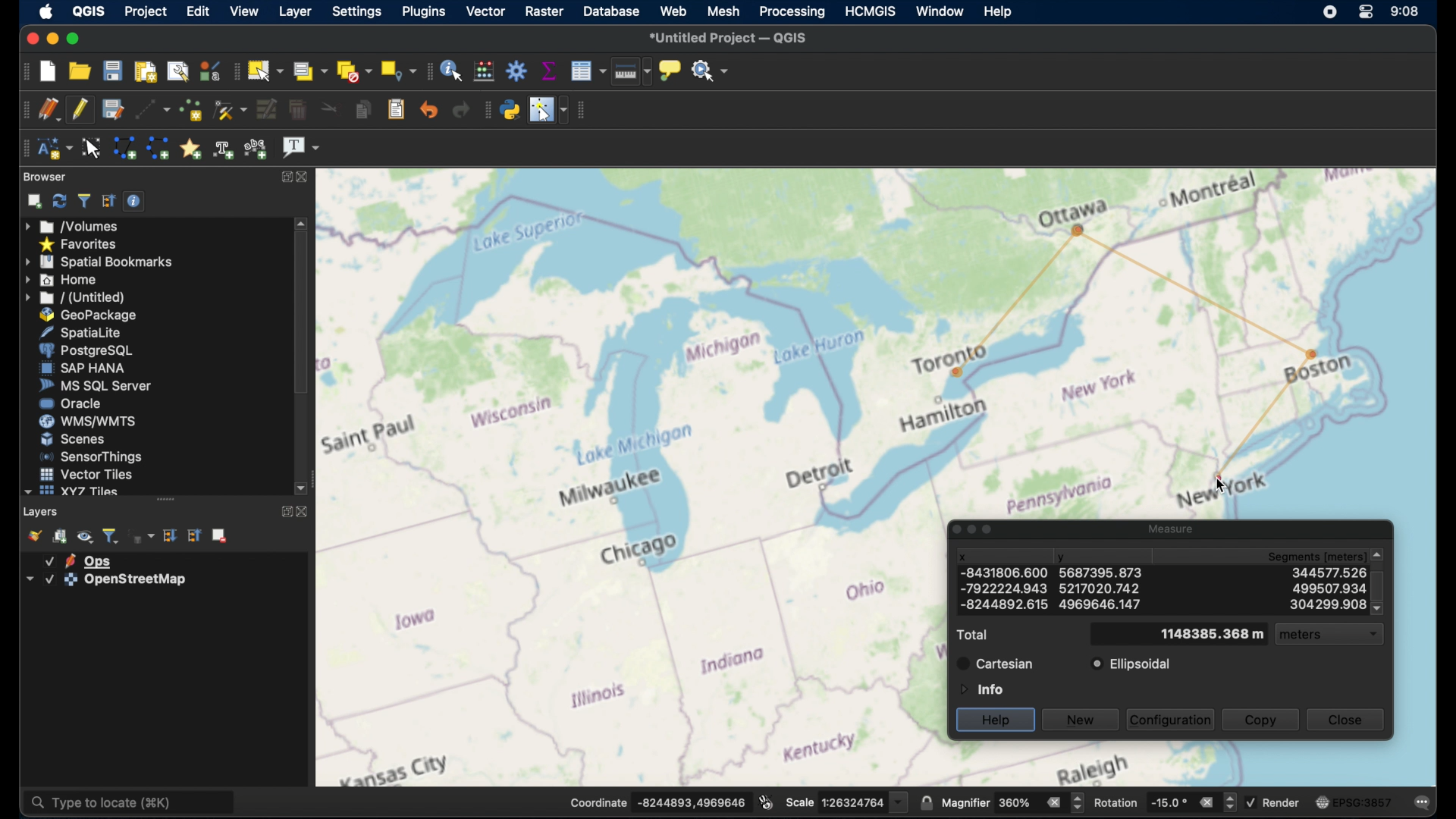  What do you see at coordinates (51, 38) in the screenshot?
I see `minimize` at bounding box center [51, 38].